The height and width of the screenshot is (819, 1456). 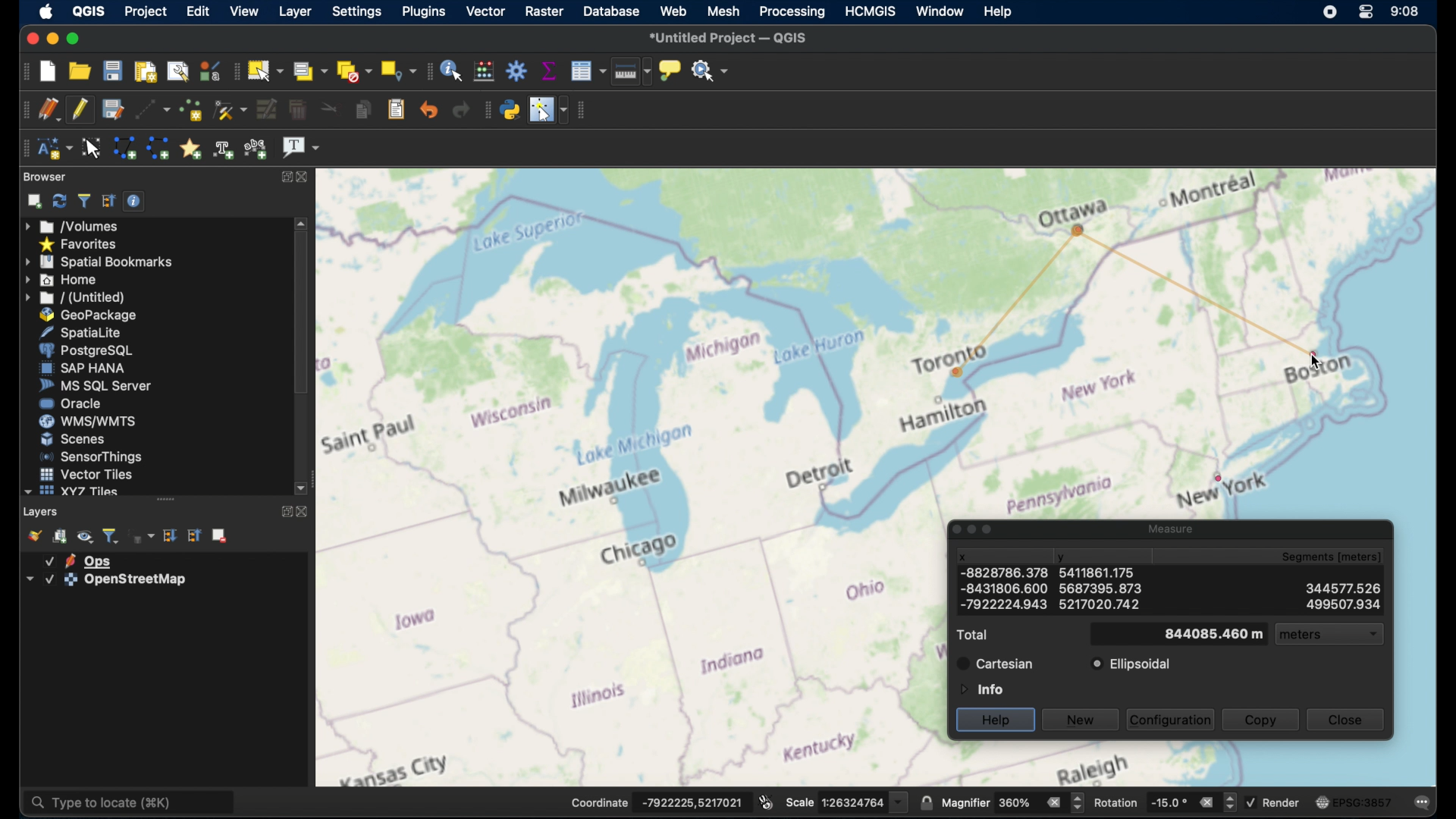 What do you see at coordinates (124, 149) in the screenshot?
I see `create polygon annotation` at bounding box center [124, 149].